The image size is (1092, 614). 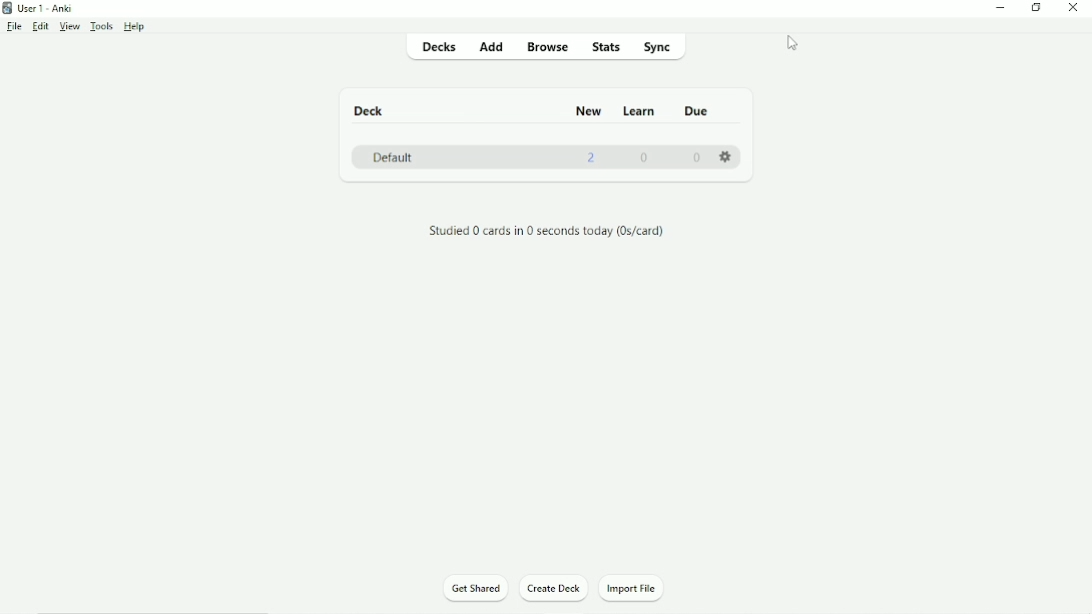 What do you see at coordinates (605, 47) in the screenshot?
I see `Stats` at bounding box center [605, 47].